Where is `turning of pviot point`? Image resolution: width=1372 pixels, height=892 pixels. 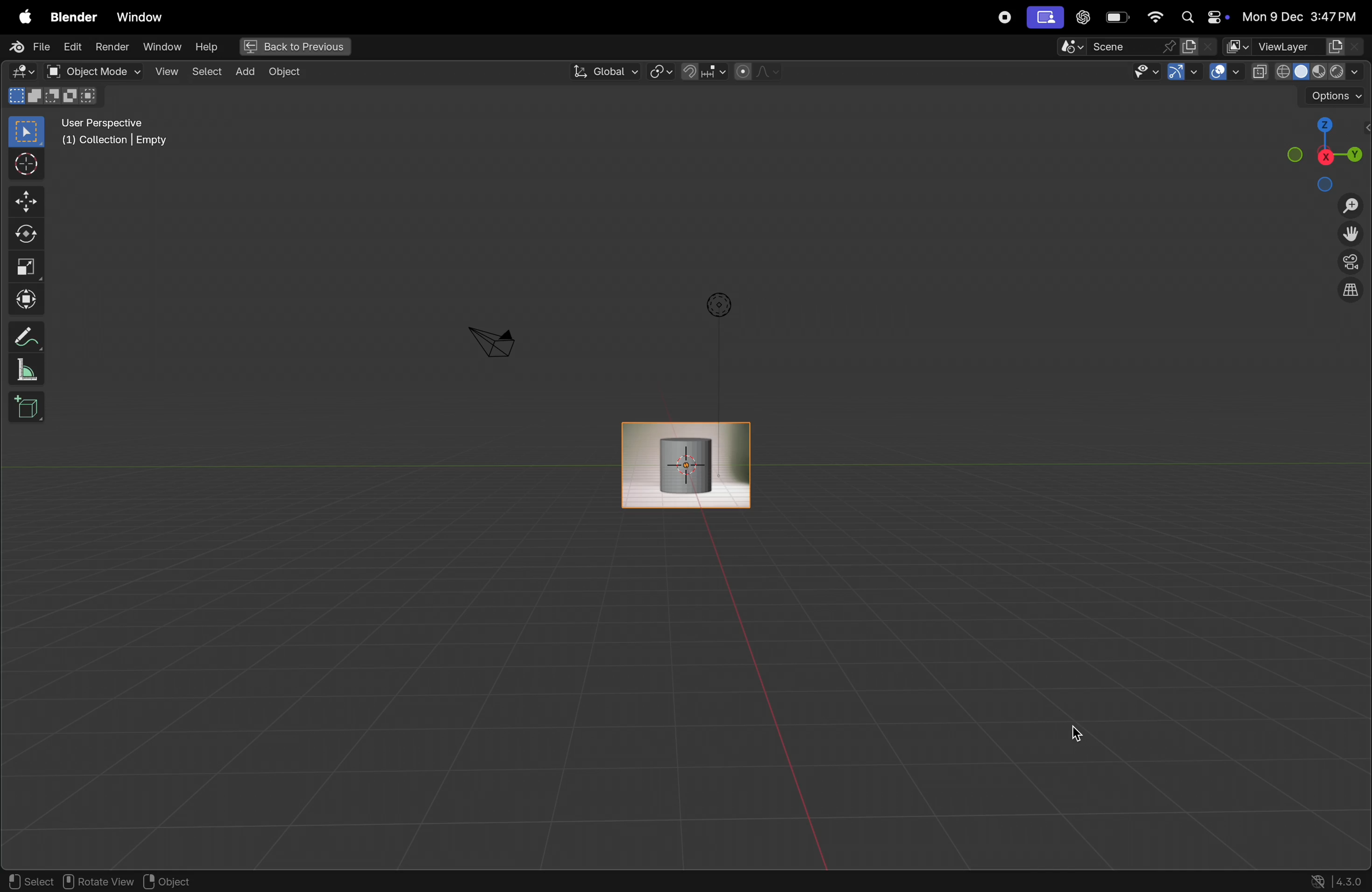 turning of pviot point is located at coordinates (661, 70).